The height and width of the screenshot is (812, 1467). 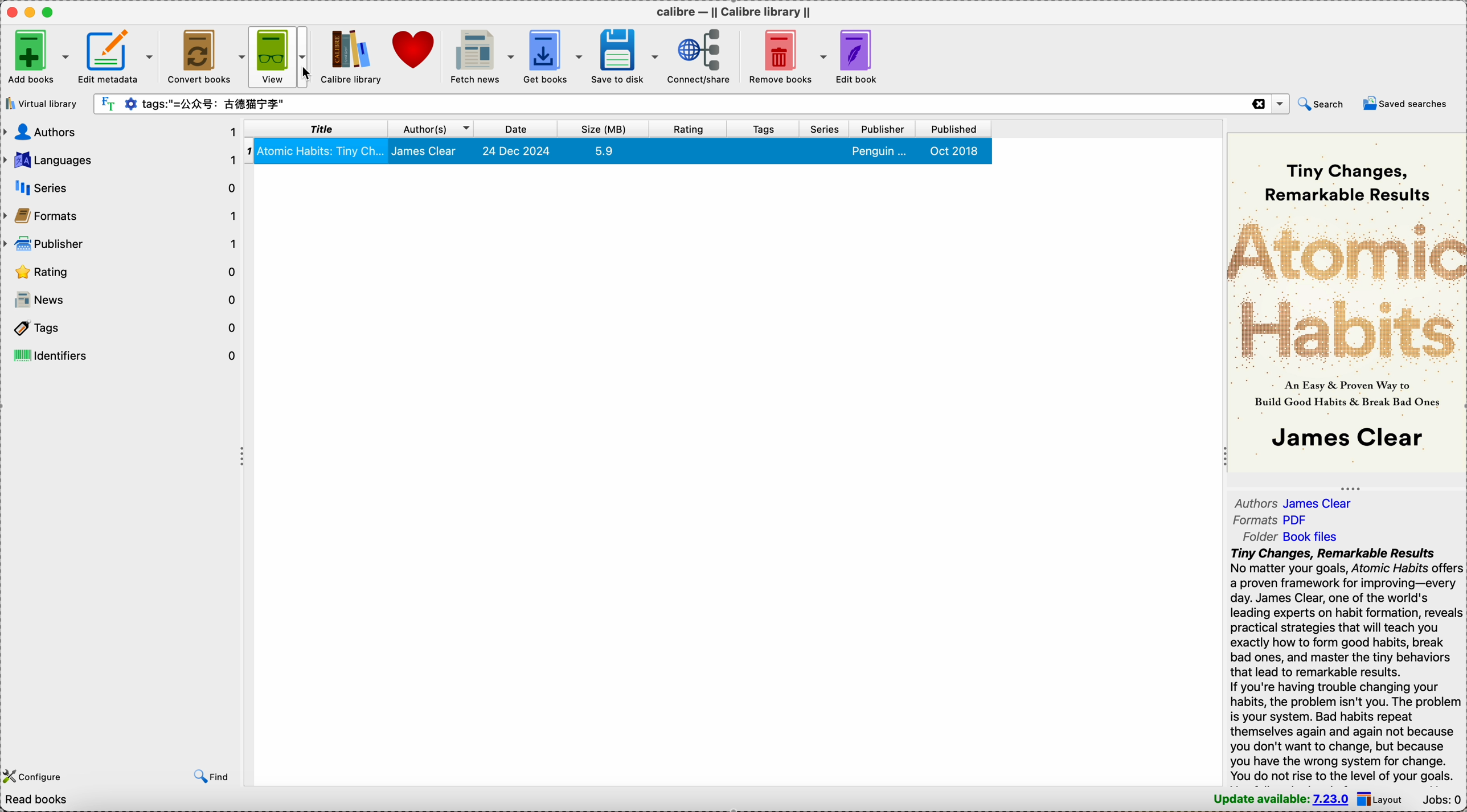 What do you see at coordinates (122, 270) in the screenshot?
I see `rating` at bounding box center [122, 270].